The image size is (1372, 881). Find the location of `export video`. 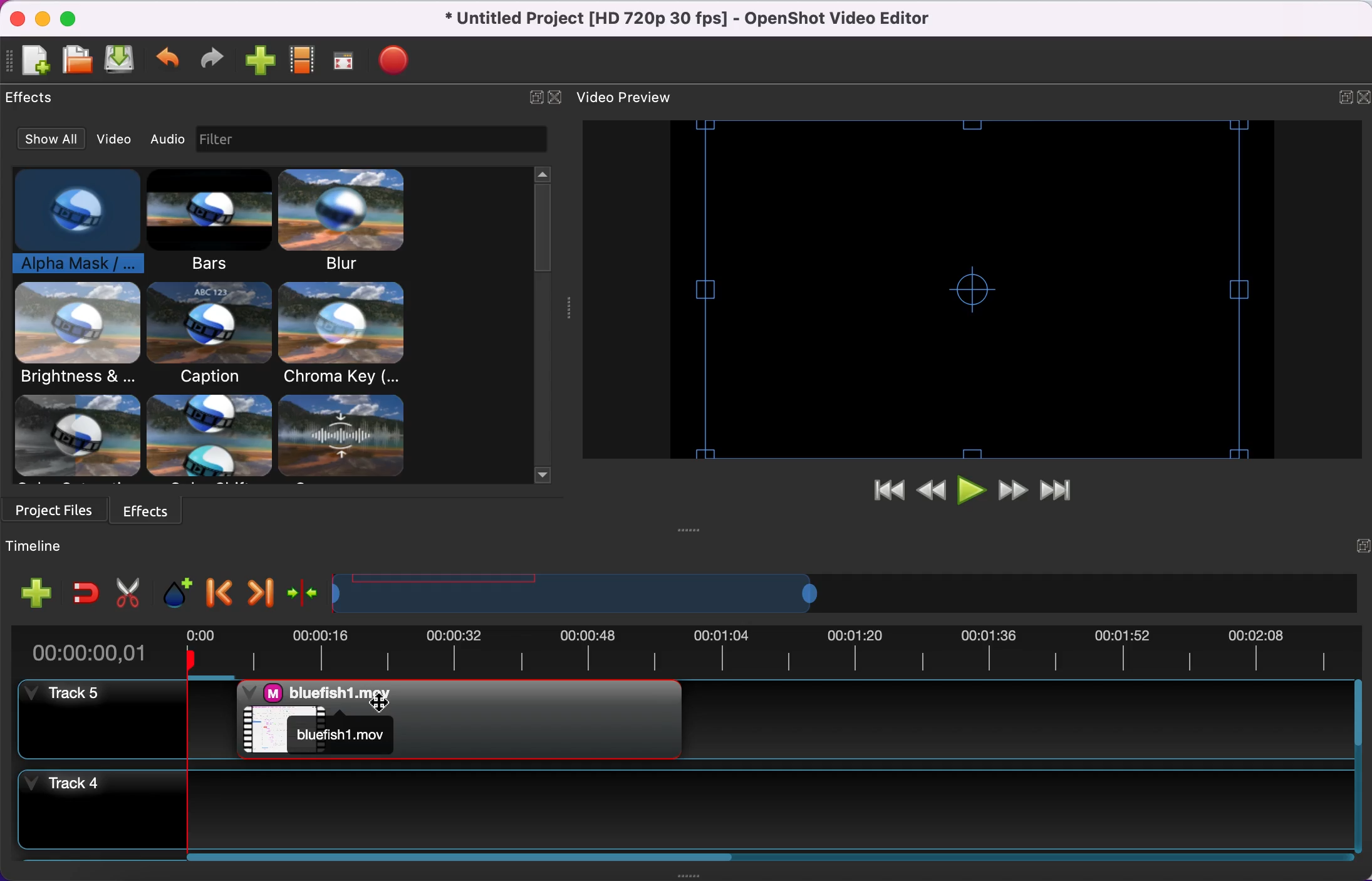

export video is located at coordinates (397, 63).